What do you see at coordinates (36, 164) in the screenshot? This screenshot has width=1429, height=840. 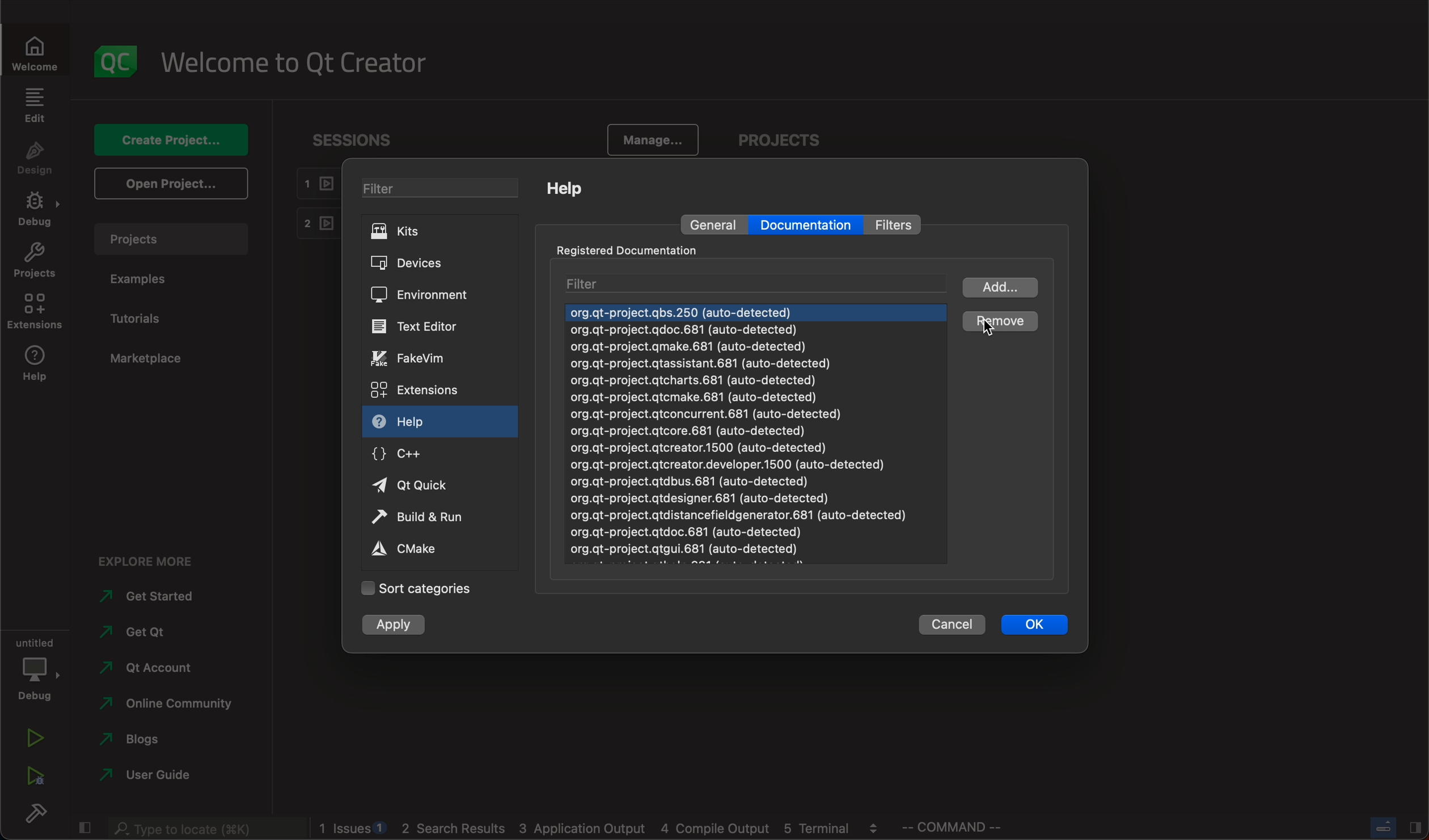 I see `design` at bounding box center [36, 164].